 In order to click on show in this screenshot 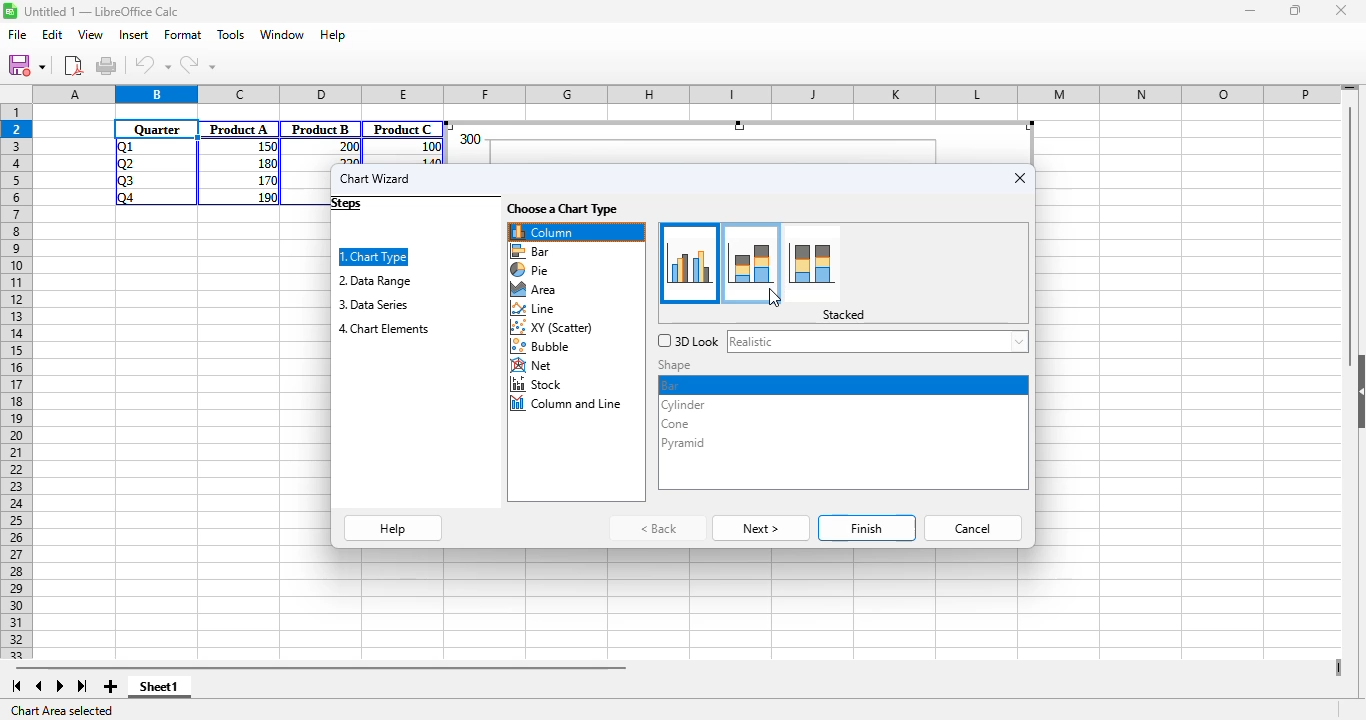, I will do `click(1357, 392)`.